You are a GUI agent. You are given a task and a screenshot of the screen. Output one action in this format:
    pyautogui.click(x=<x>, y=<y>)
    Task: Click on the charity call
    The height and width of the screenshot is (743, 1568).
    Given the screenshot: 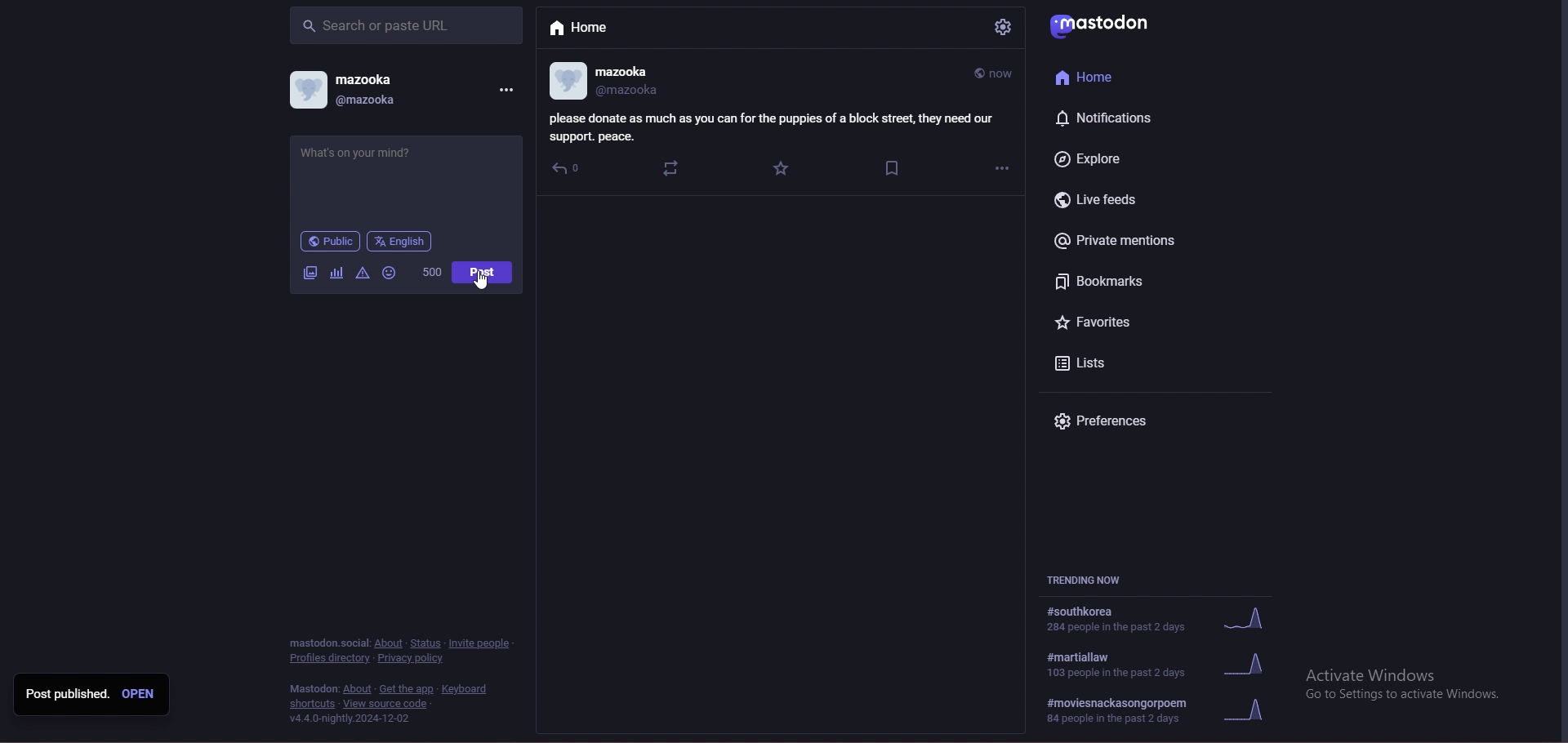 What is the action you would take?
    pyautogui.click(x=407, y=168)
    